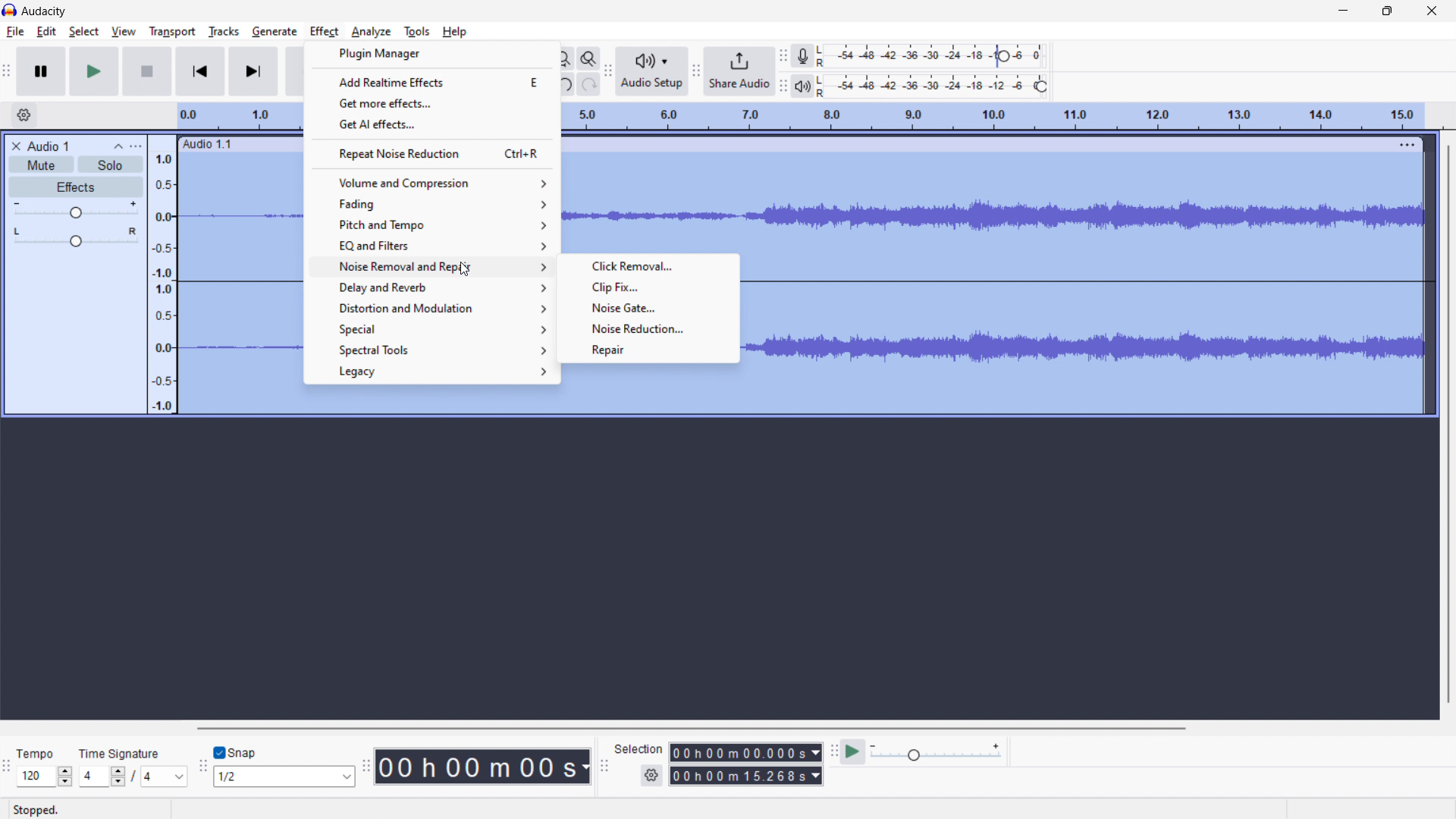 This screenshot has height=819, width=1456. I want to click on tracks, so click(223, 31).